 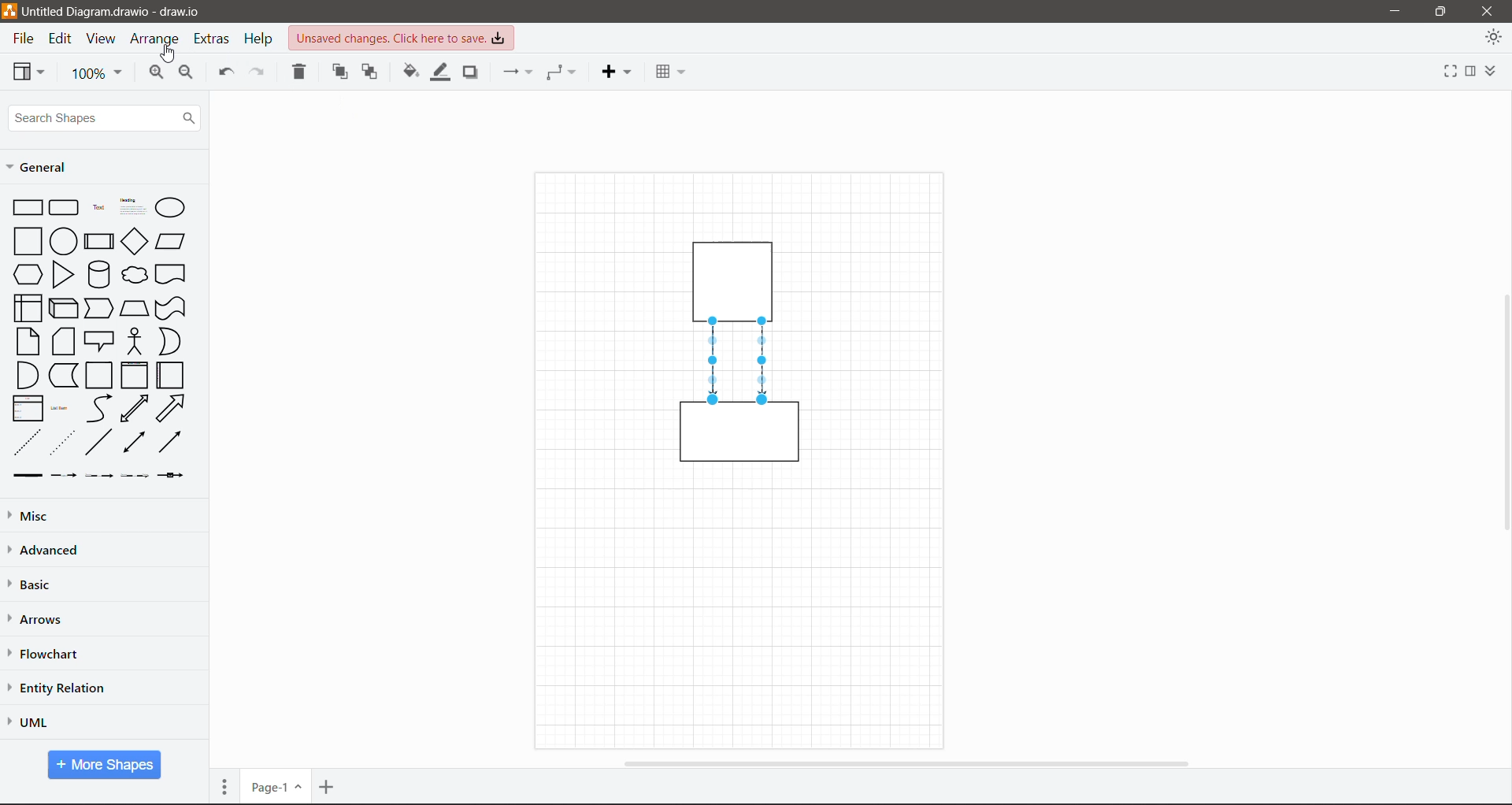 I want to click on bidirectional arrow, so click(x=135, y=409).